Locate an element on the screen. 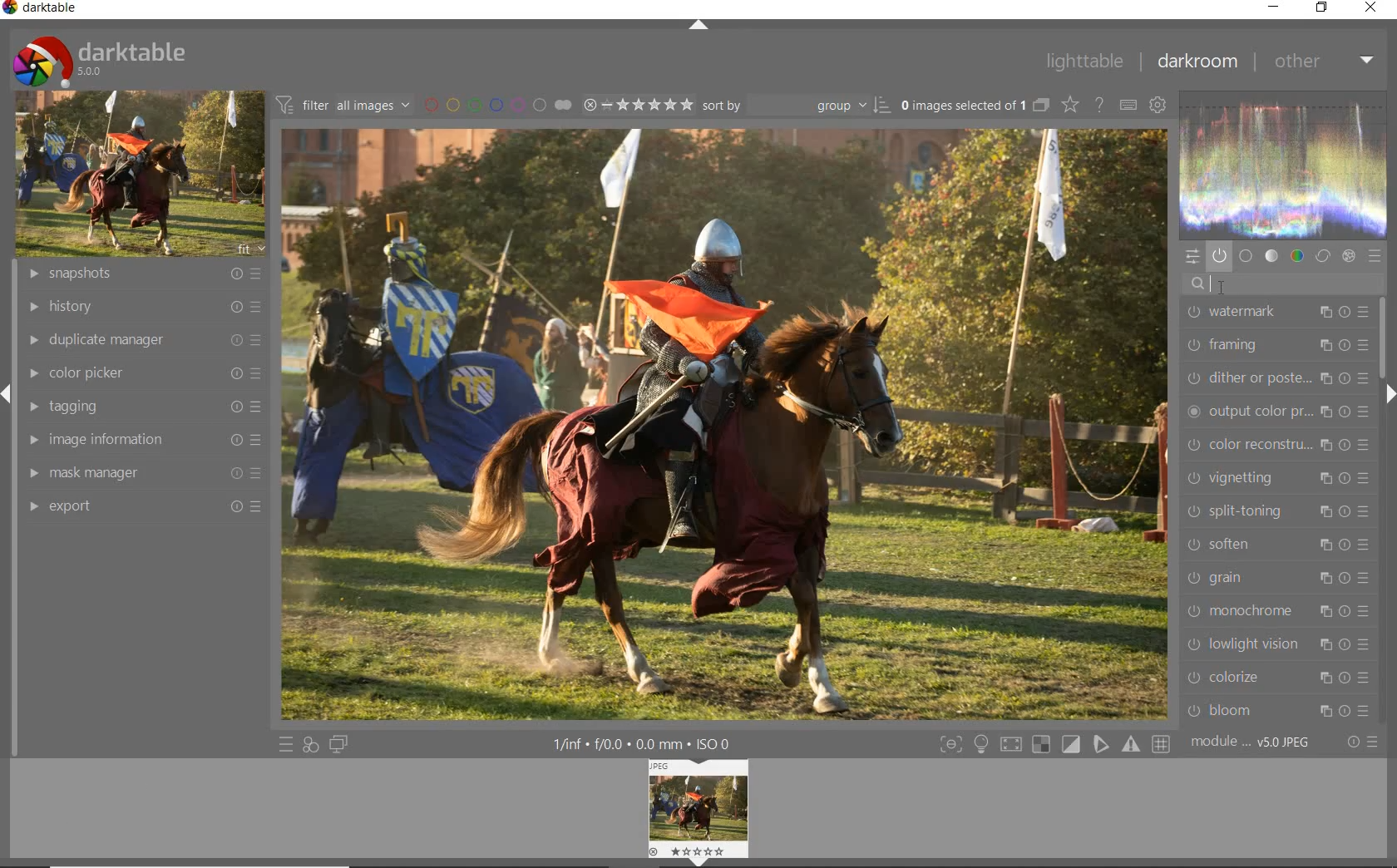 The width and height of the screenshot is (1397, 868). selected Image range rating is located at coordinates (636, 105).